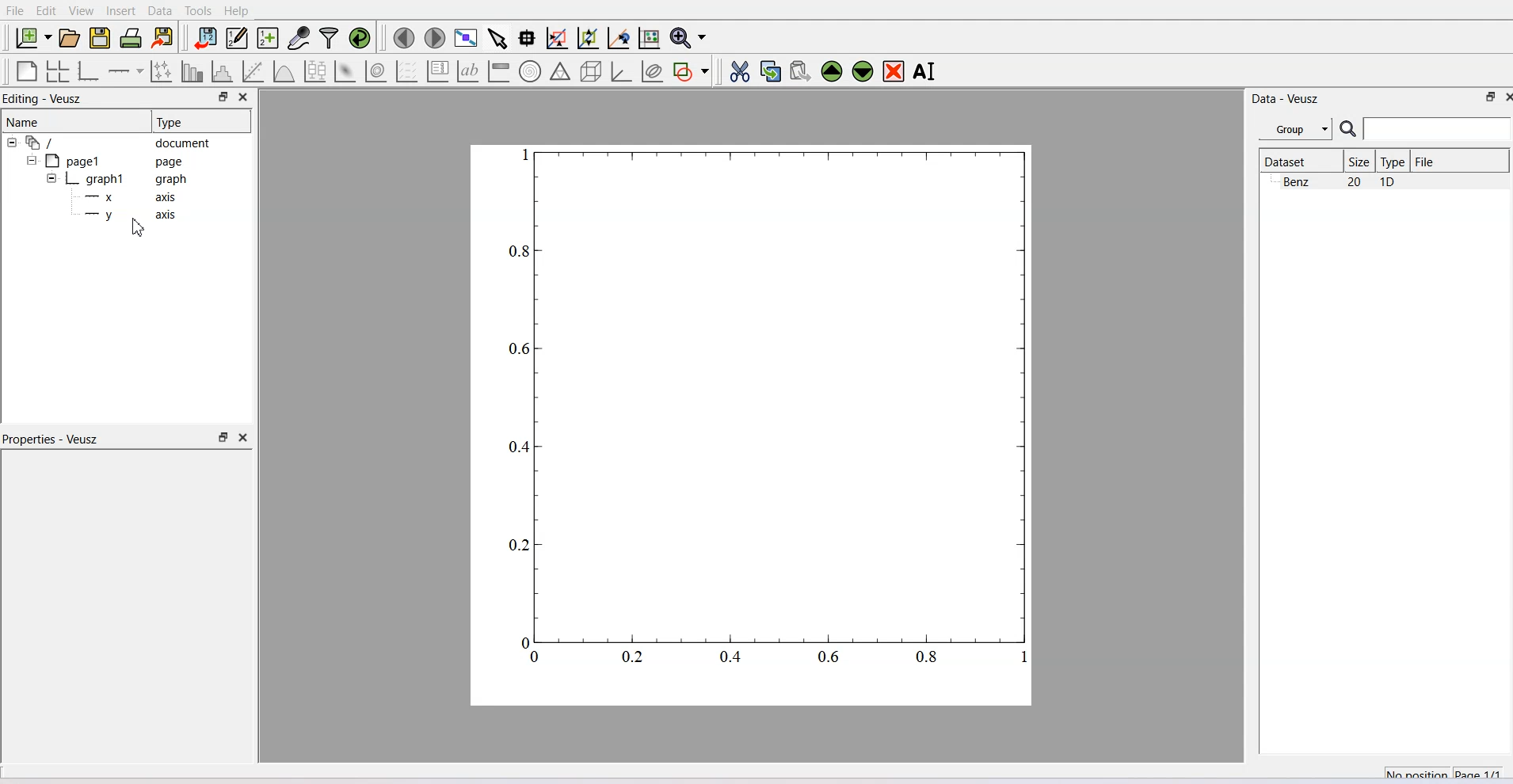  What do you see at coordinates (925, 71) in the screenshot?
I see `Rename the selected widget` at bounding box center [925, 71].